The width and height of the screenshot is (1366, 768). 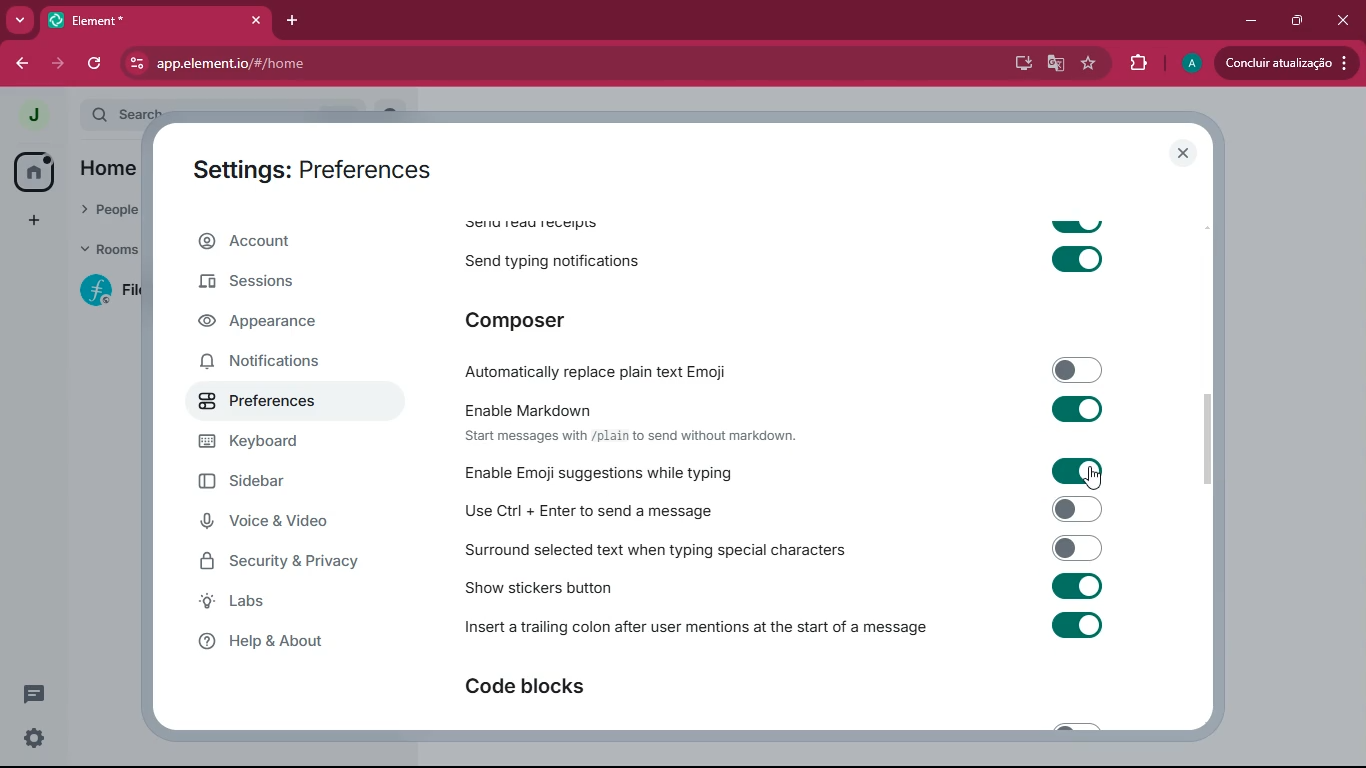 What do you see at coordinates (791, 257) in the screenshot?
I see `send typing notifications` at bounding box center [791, 257].